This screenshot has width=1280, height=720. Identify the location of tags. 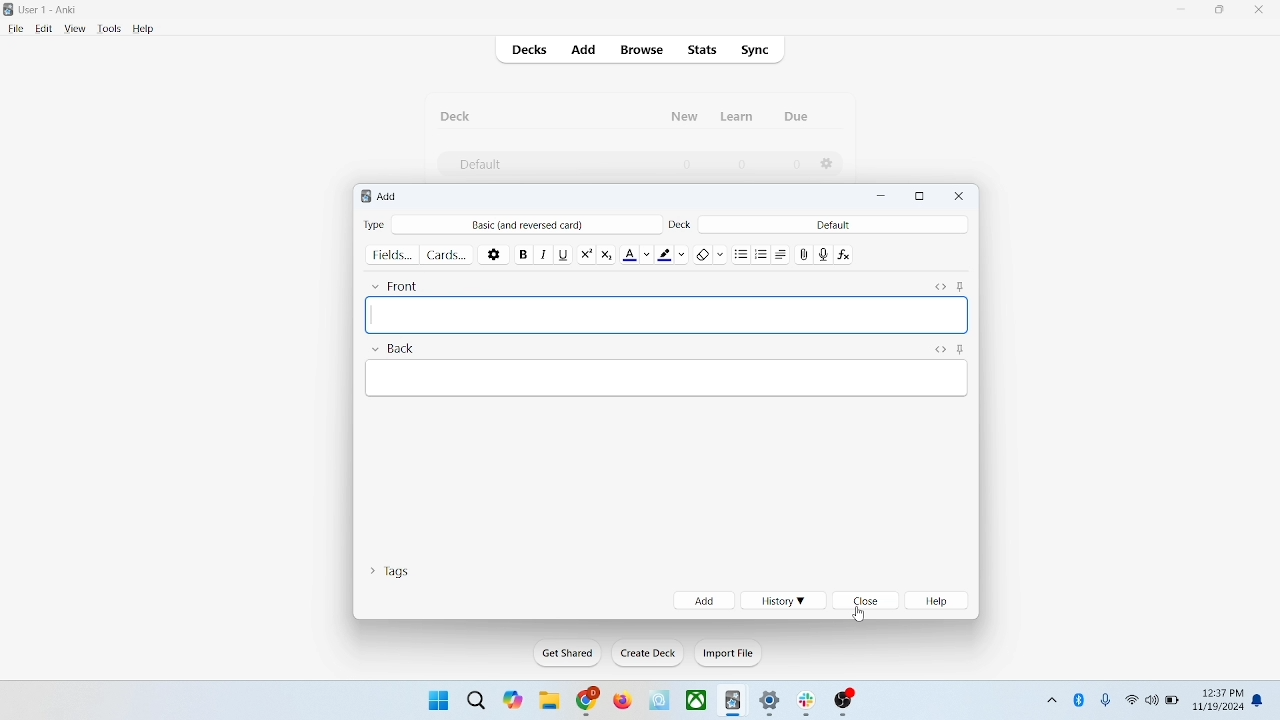
(389, 569).